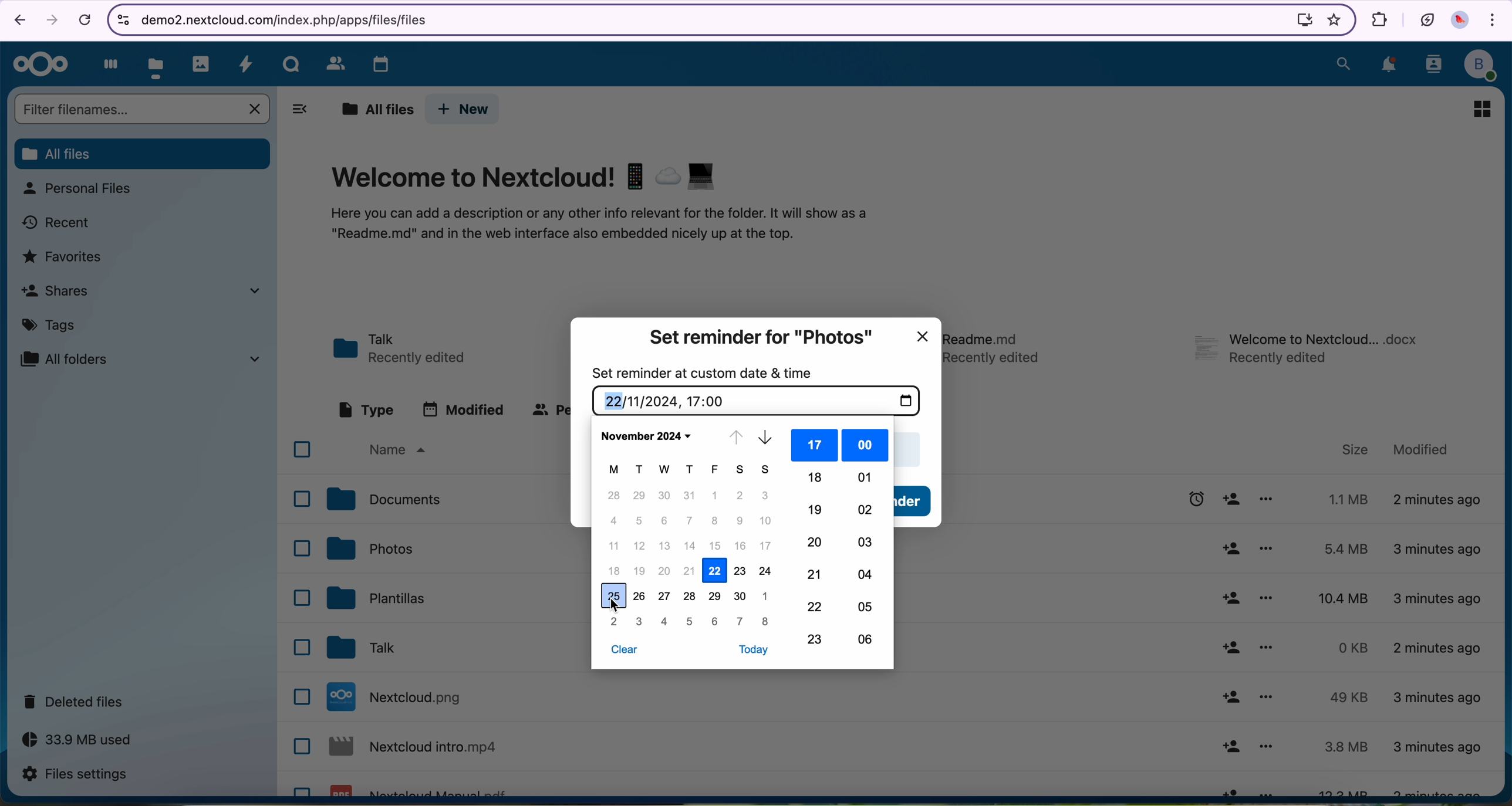 This screenshot has height=806, width=1512. I want to click on 3, so click(765, 496).